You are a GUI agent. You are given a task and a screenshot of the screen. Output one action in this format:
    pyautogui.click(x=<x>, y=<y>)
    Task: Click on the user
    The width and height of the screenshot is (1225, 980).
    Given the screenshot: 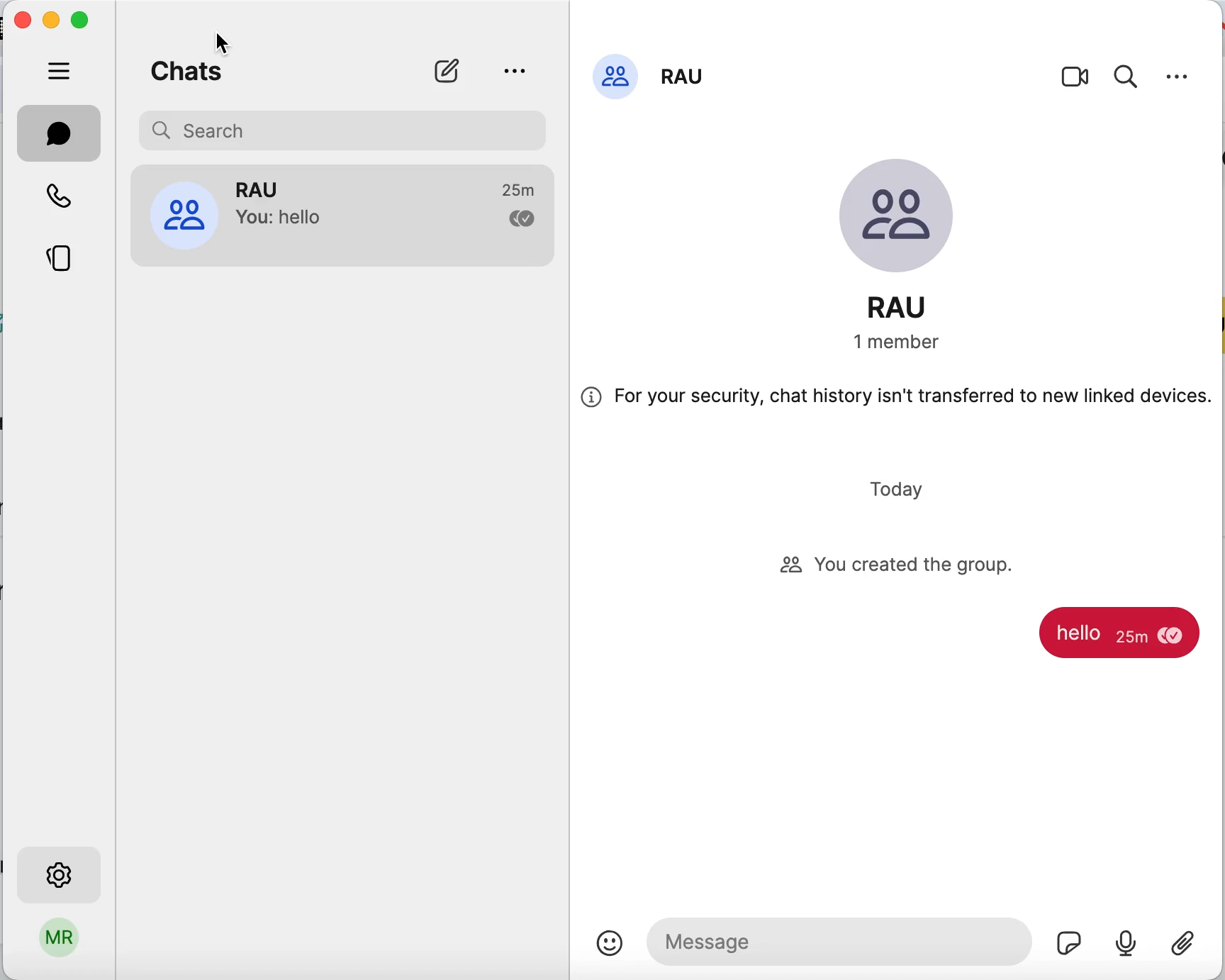 What is the action you would take?
    pyautogui.click(x=57, y=943)
    